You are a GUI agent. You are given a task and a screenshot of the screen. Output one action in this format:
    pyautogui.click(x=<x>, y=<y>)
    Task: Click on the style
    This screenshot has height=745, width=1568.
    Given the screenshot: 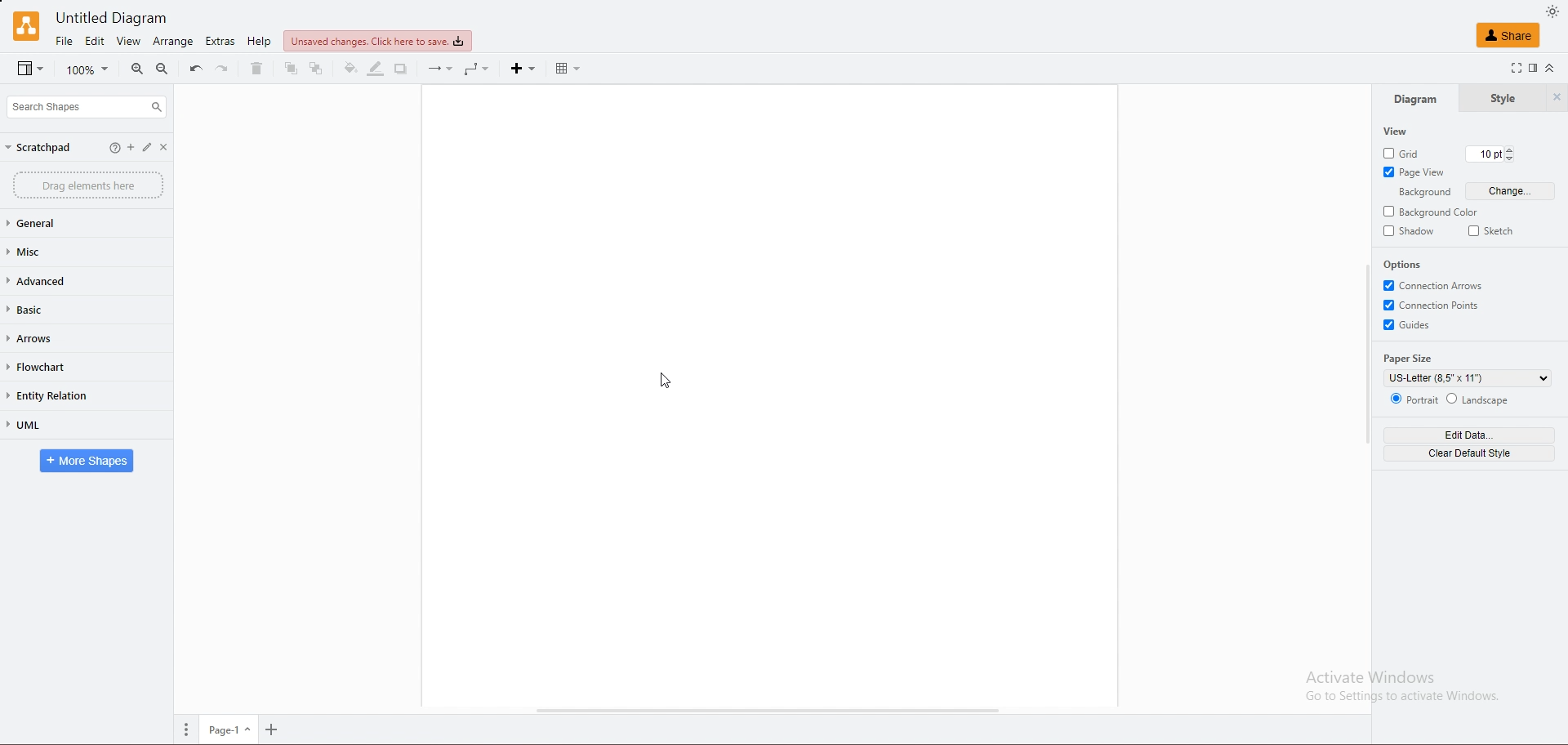 What is the action you would take?
    pyautogui.click(x=1502, y=99)
    